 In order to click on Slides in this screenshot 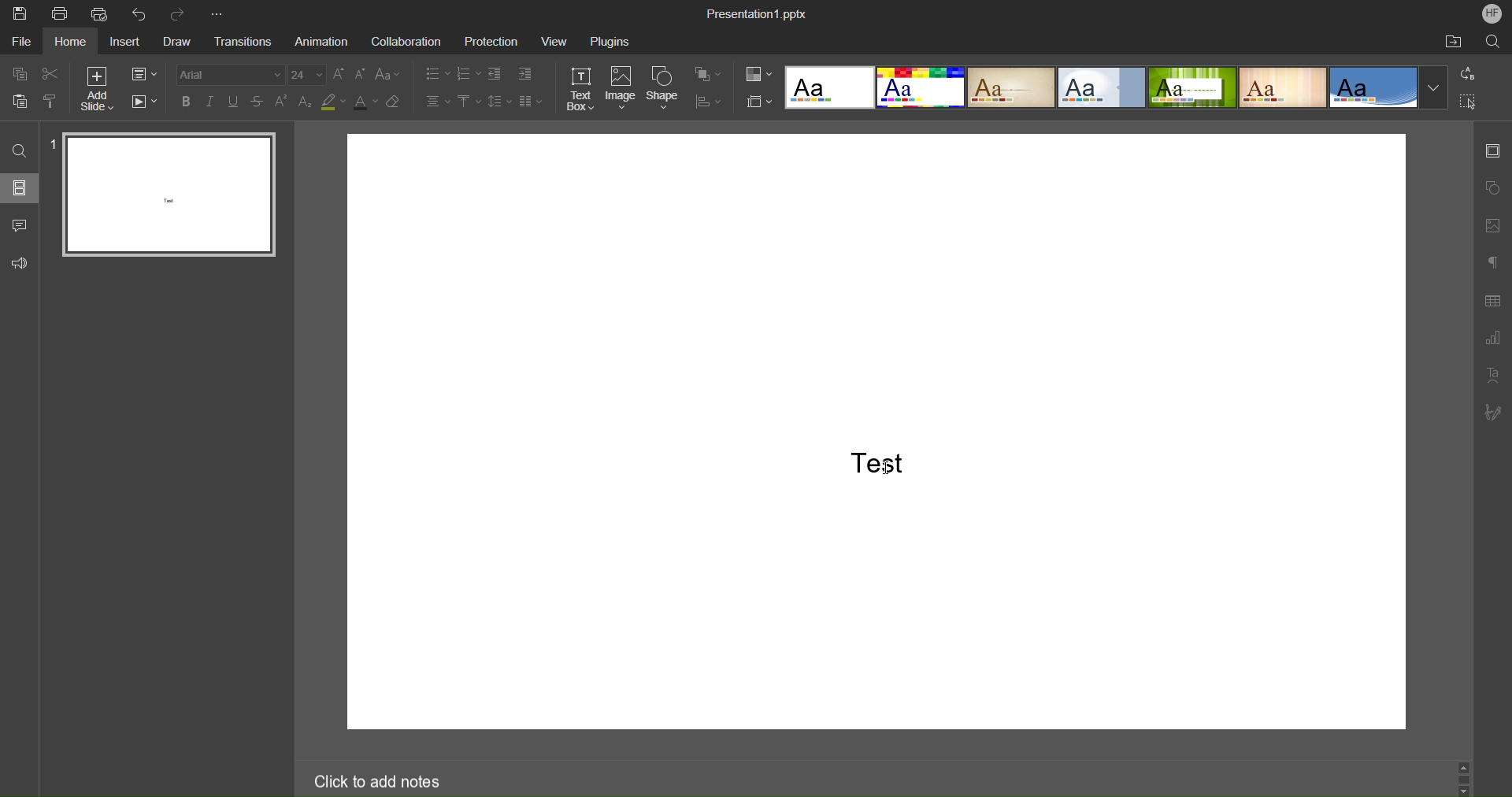, I will do `click(22, 188)`.